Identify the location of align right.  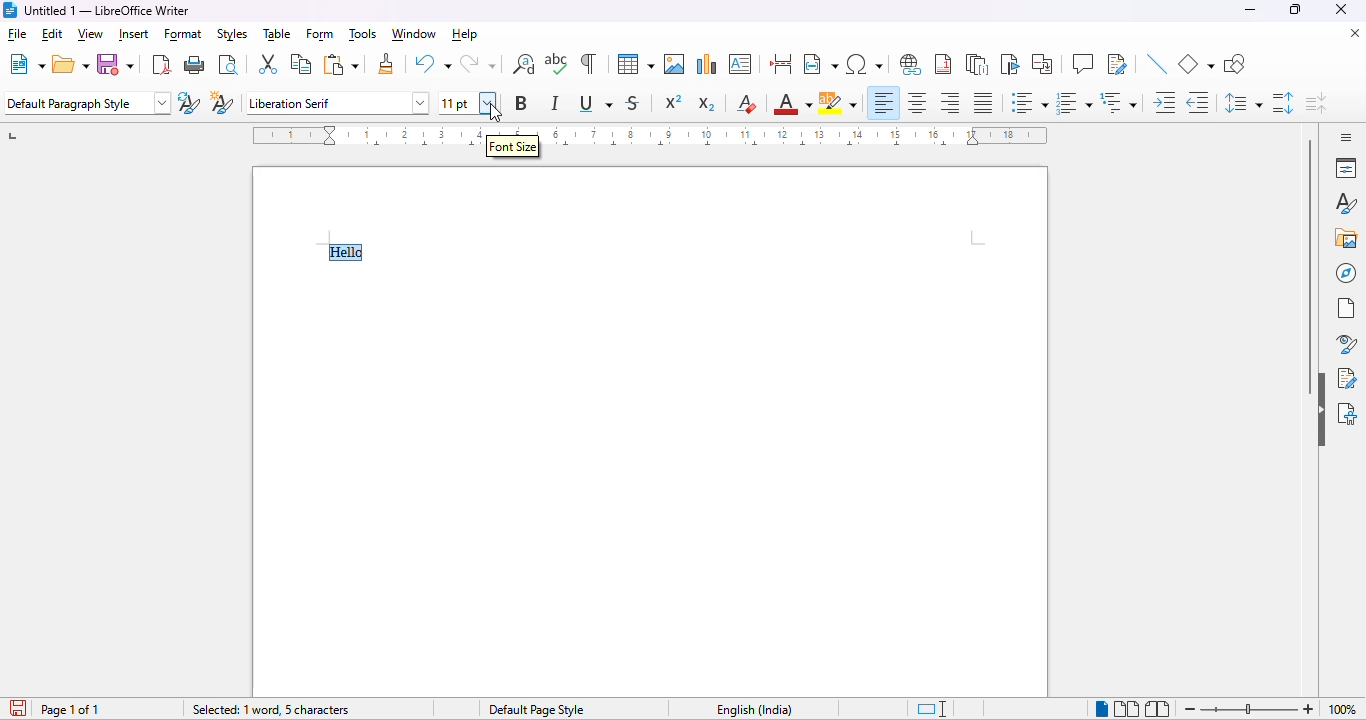
(950, 103).